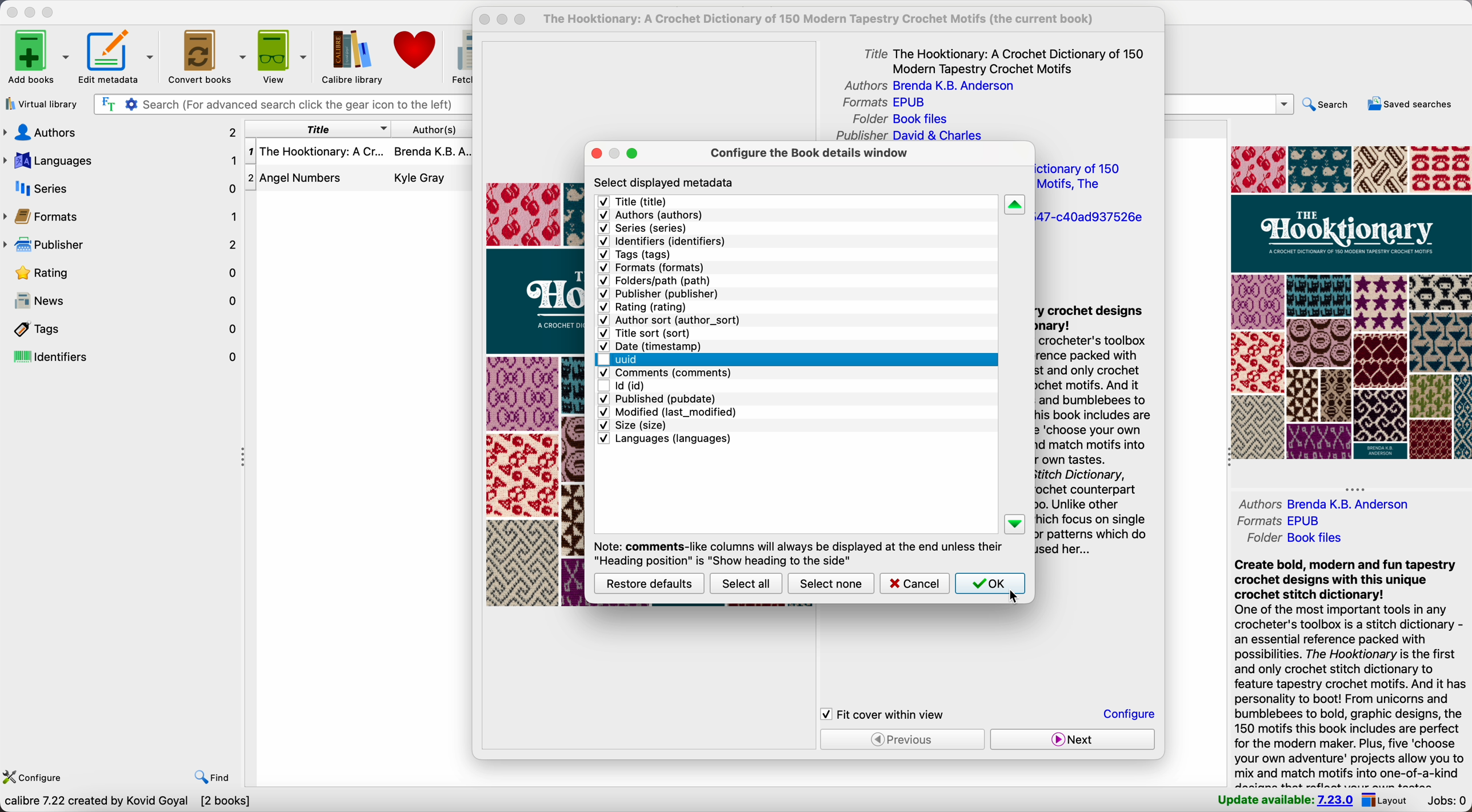 This screenshot has width=1472, height=812. Describe the element at coordinates (1384, 799) in the screenshot. I see `layout` at that location.